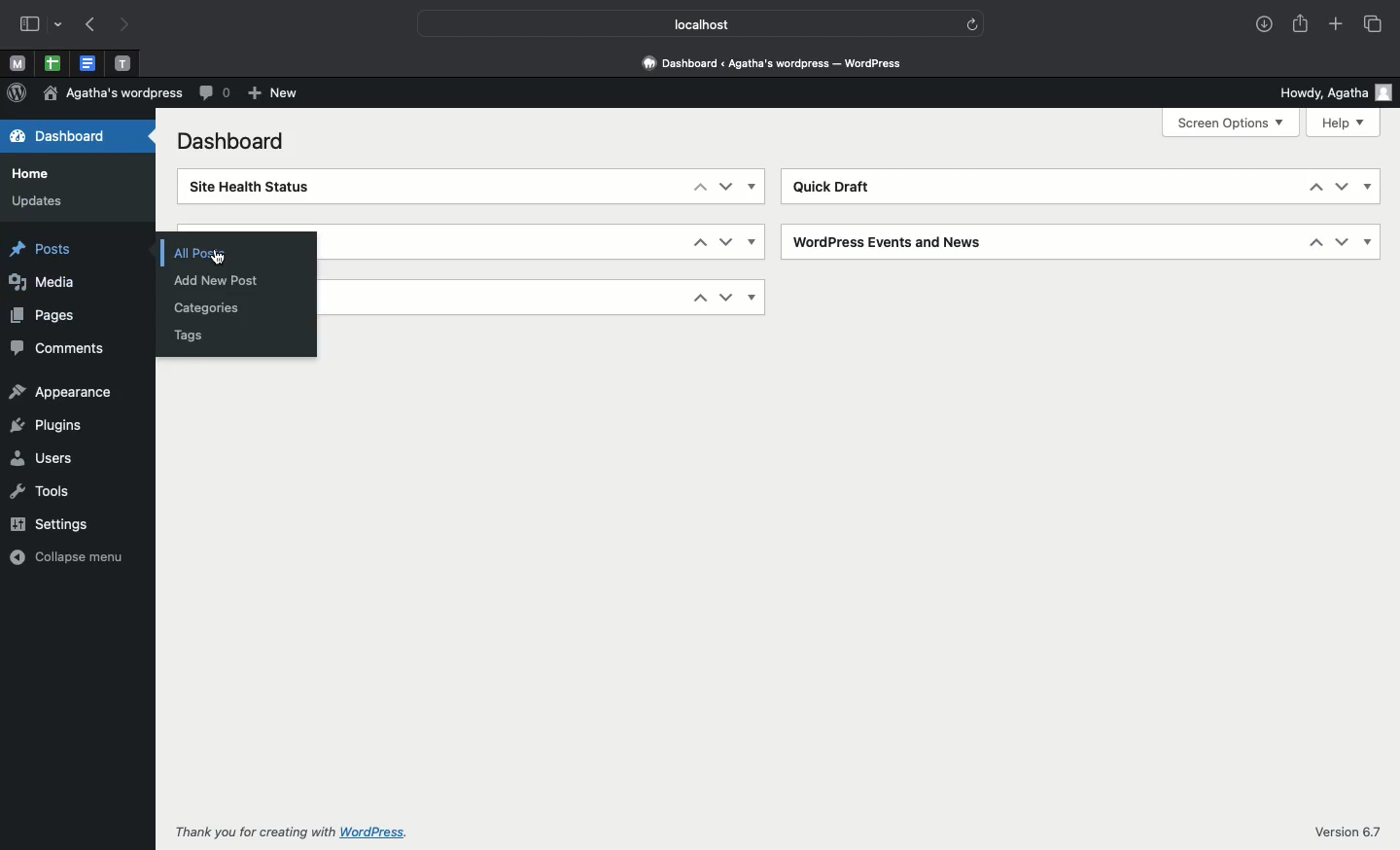  Describe the element at coordinates (778, 64) in the screenshot. I see `Dashboard <agatha's wordpress - wordpress` at that location.